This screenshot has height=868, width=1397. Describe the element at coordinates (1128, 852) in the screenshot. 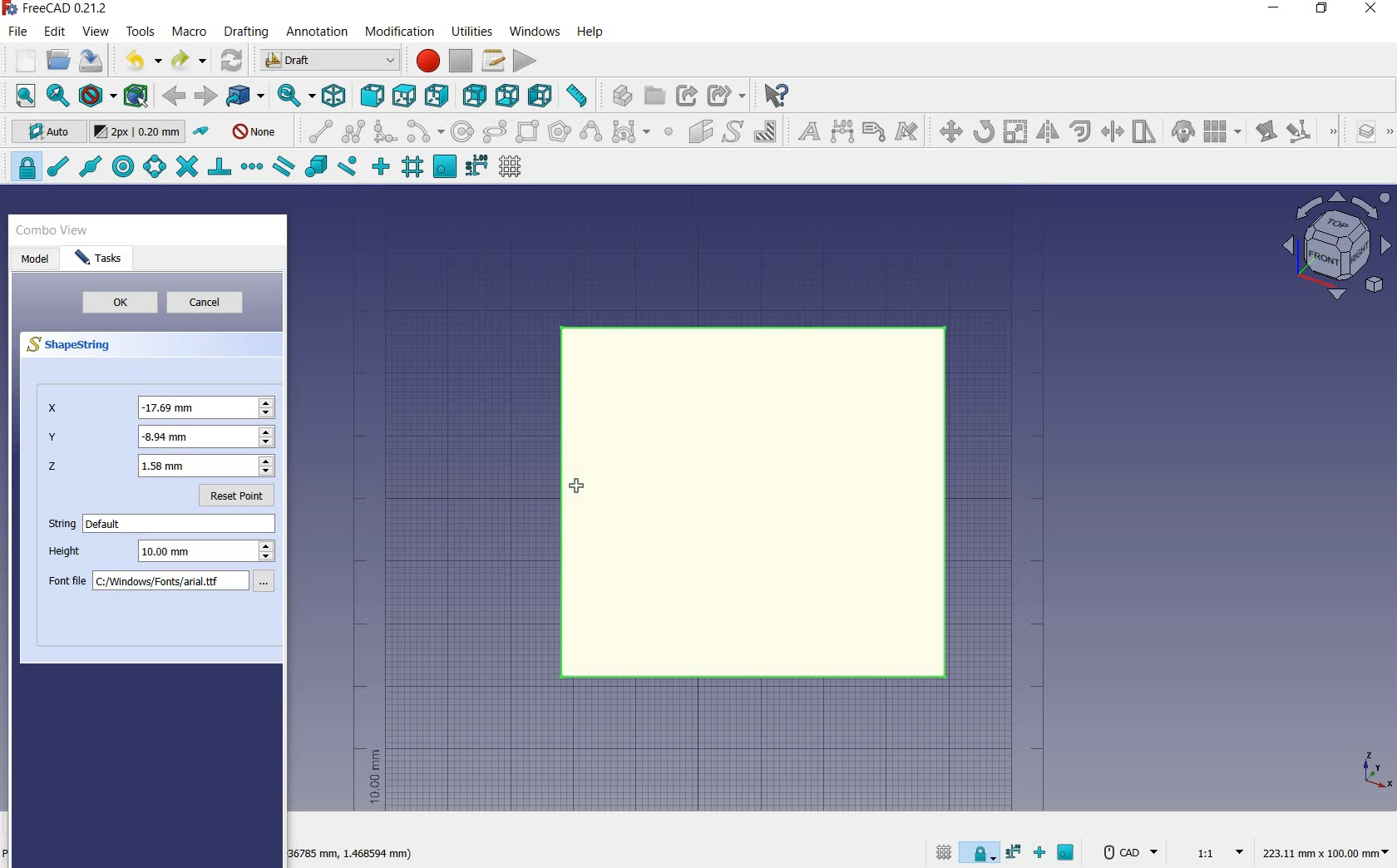

I see `CAD Navigation Style` at that location.